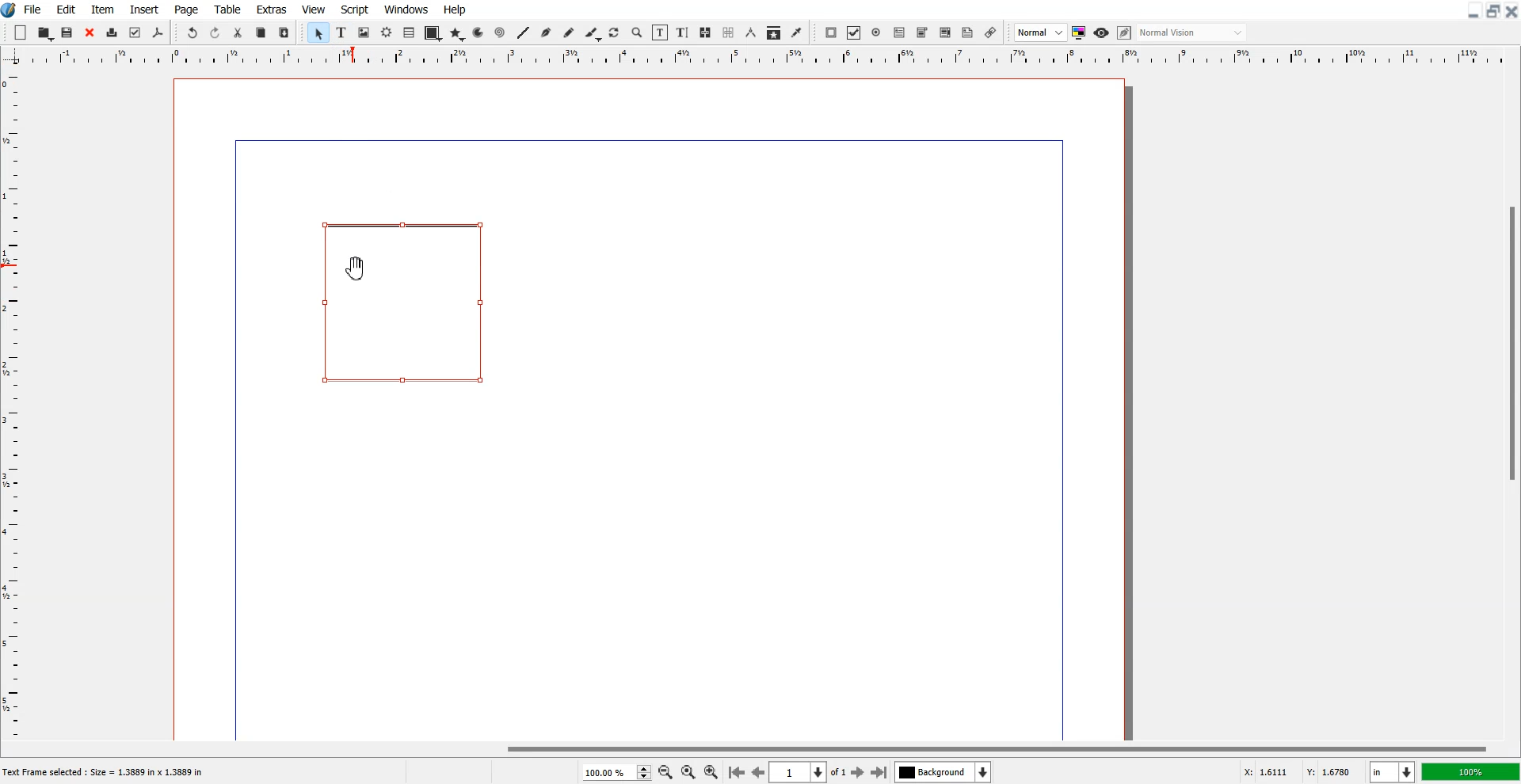 Image resolution: width=1521 pixels, height=784 pixels. Describe the element at coordinates (922, 33) in the screenshot. I see `PDF Text field` at that location.